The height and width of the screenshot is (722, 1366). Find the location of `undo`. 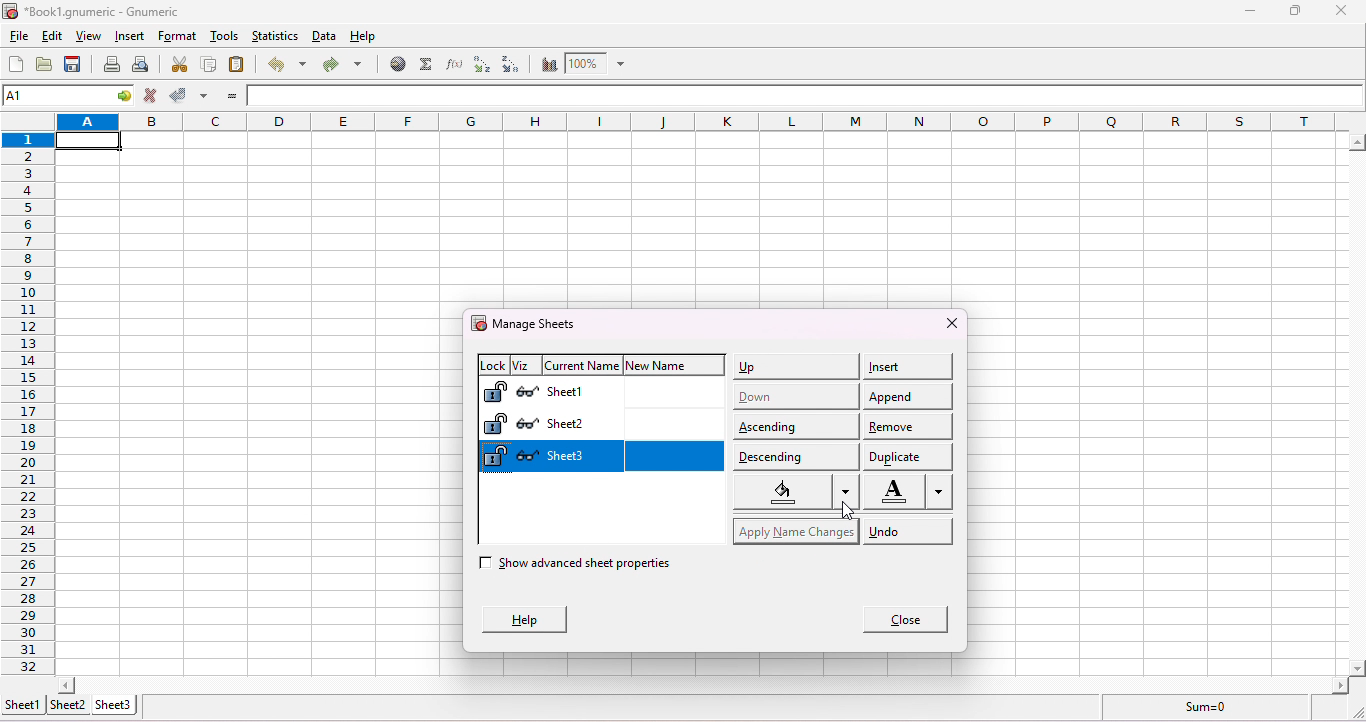

undo is located at coordinates (285, 65).